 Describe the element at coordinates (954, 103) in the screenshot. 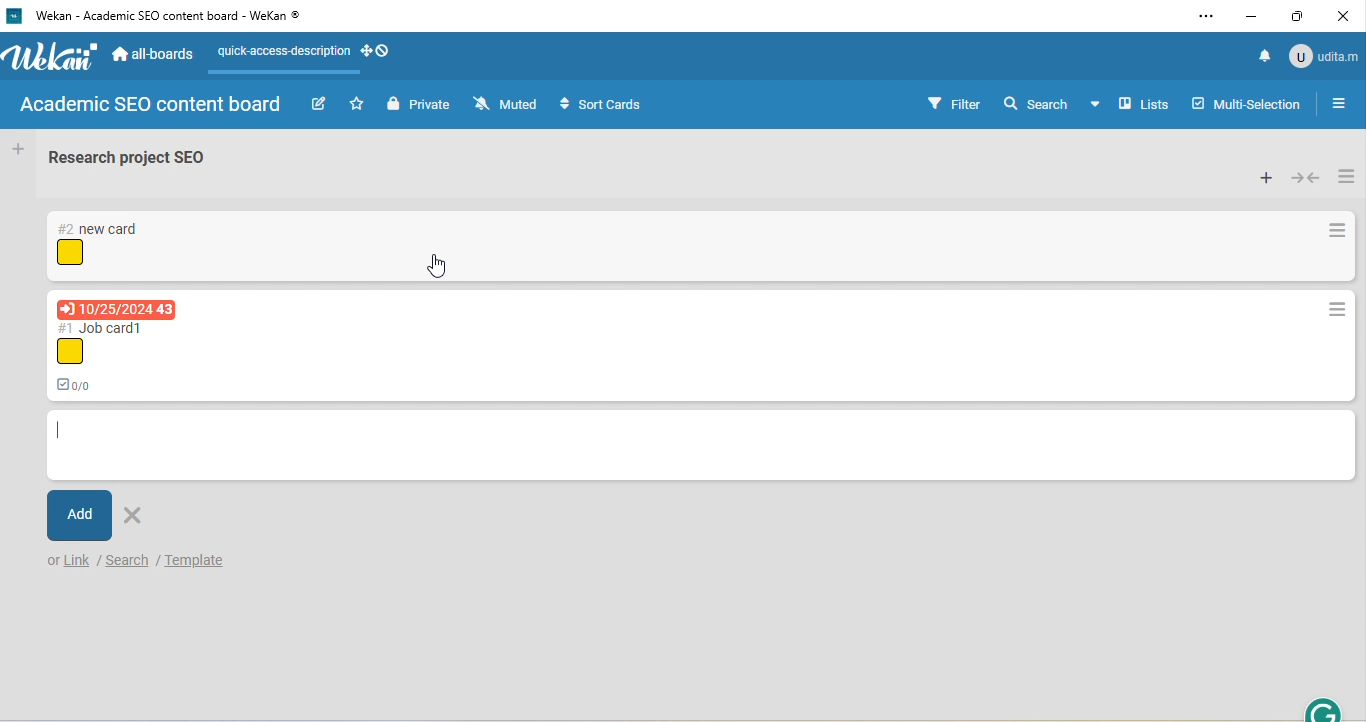

I see `filter` at that location.